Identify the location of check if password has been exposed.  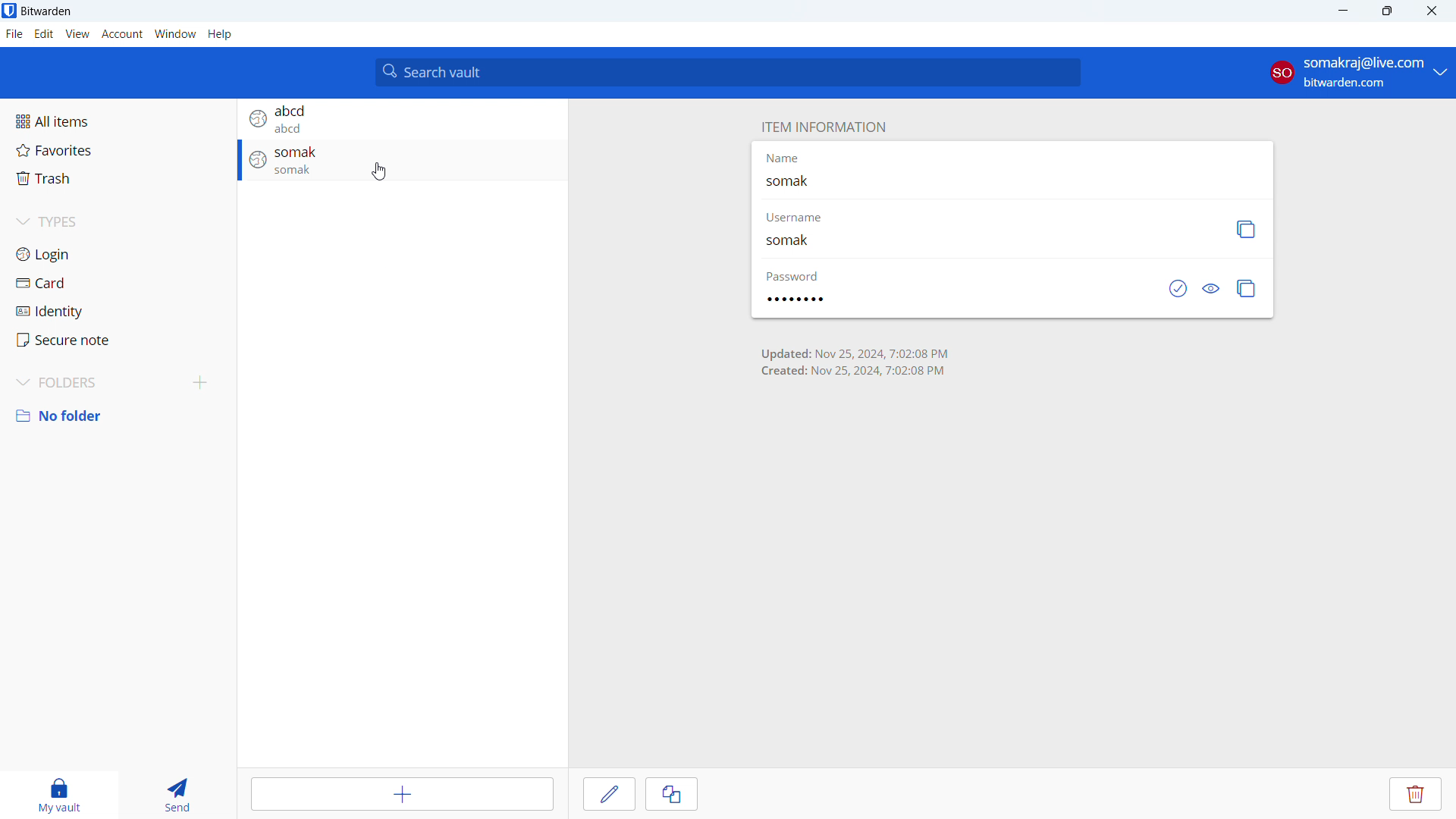
(1178, 288).